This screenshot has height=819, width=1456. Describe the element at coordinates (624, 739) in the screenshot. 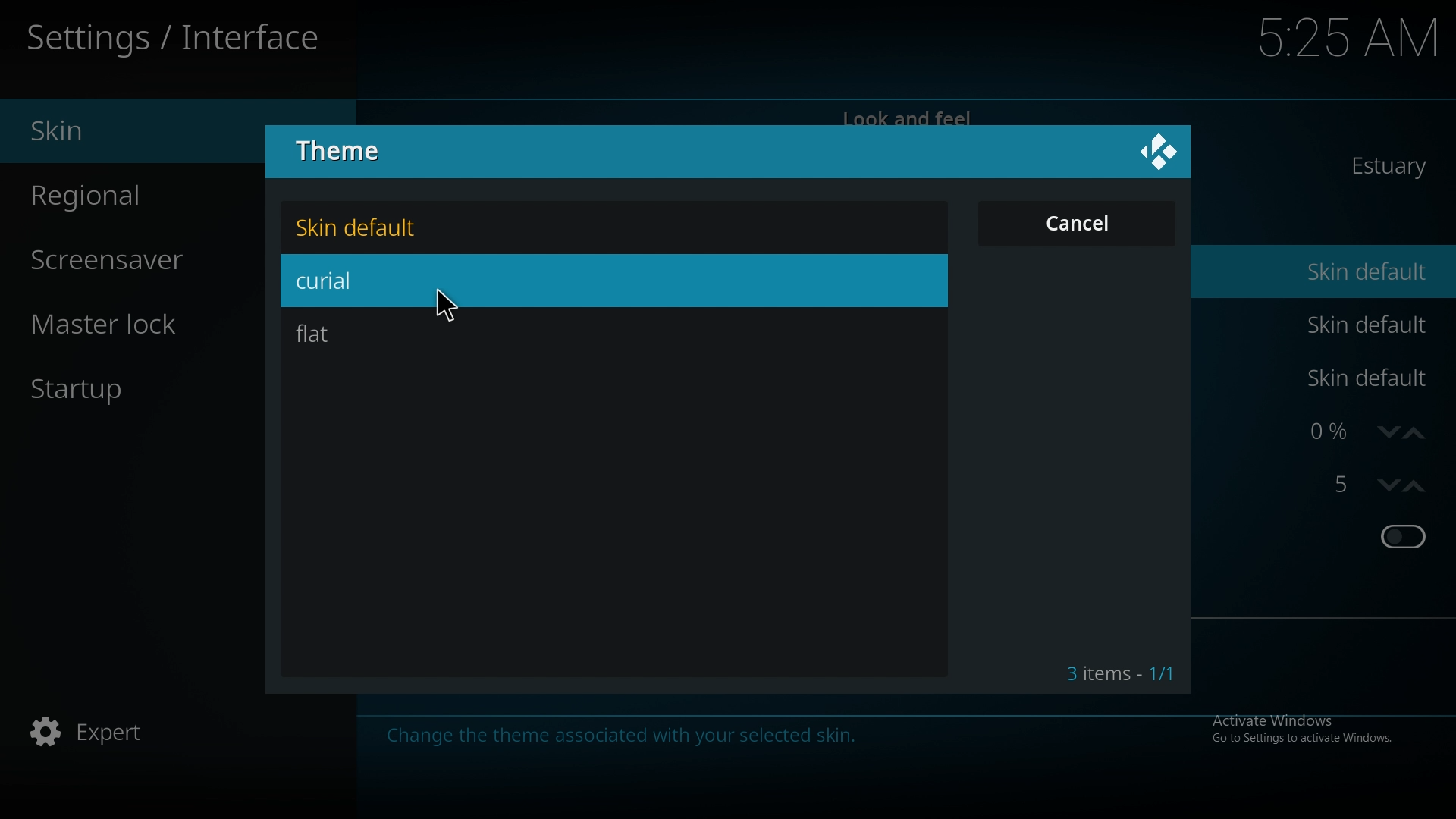

I see `Change the theme associated with your selected skin.` at that location.